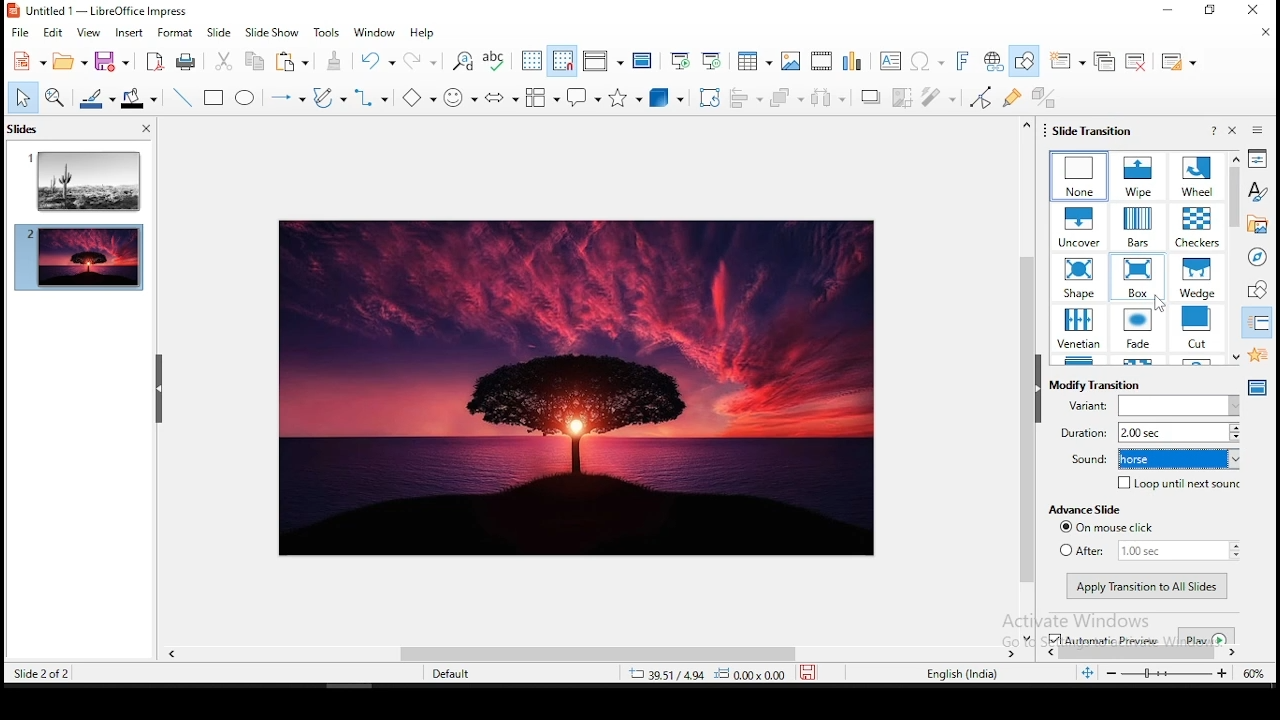  Describe the element at coordinates (30, 61) in the screenshot. I see `new` at that location.